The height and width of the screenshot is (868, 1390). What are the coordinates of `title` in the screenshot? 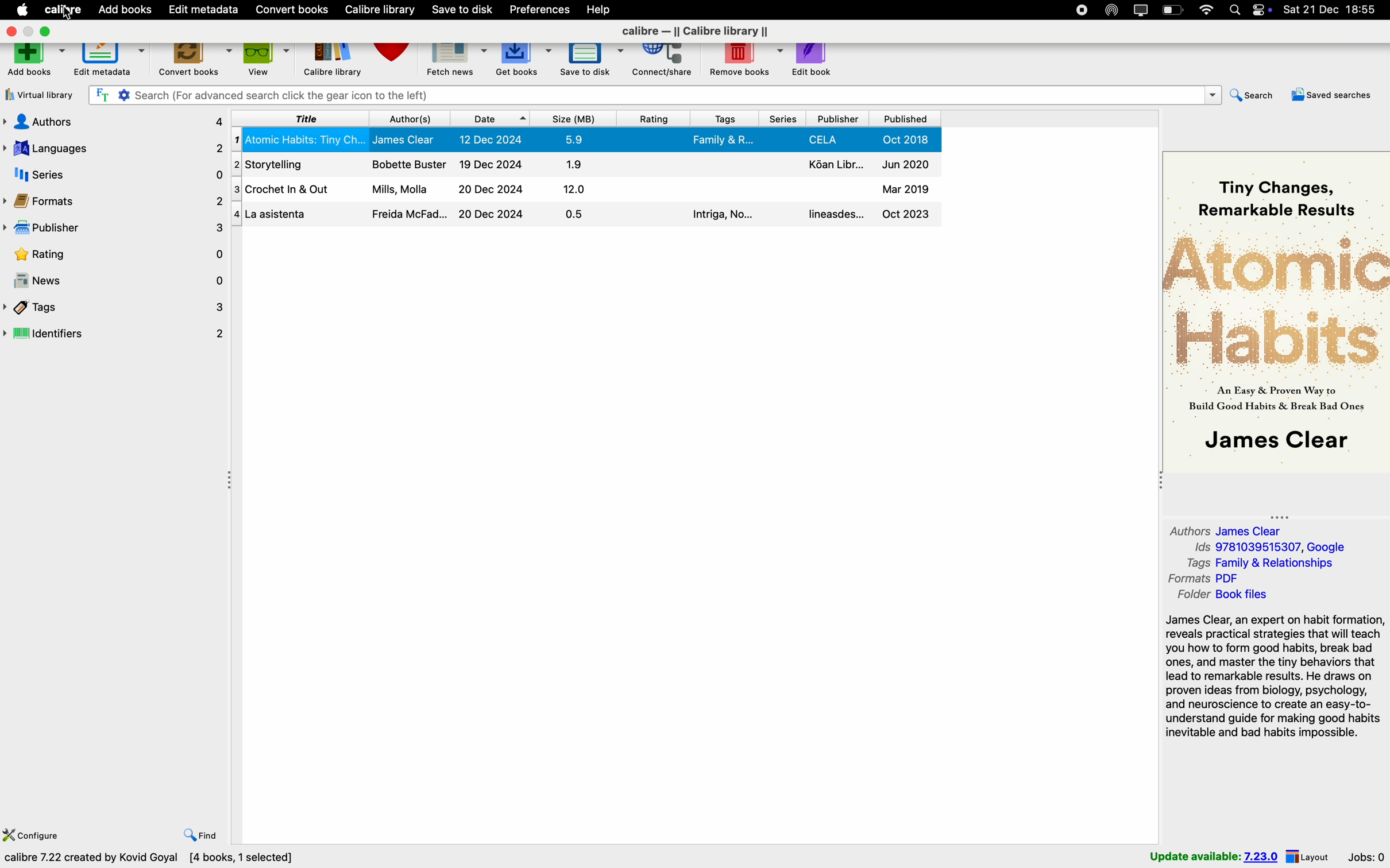 It's located at (302, 117).